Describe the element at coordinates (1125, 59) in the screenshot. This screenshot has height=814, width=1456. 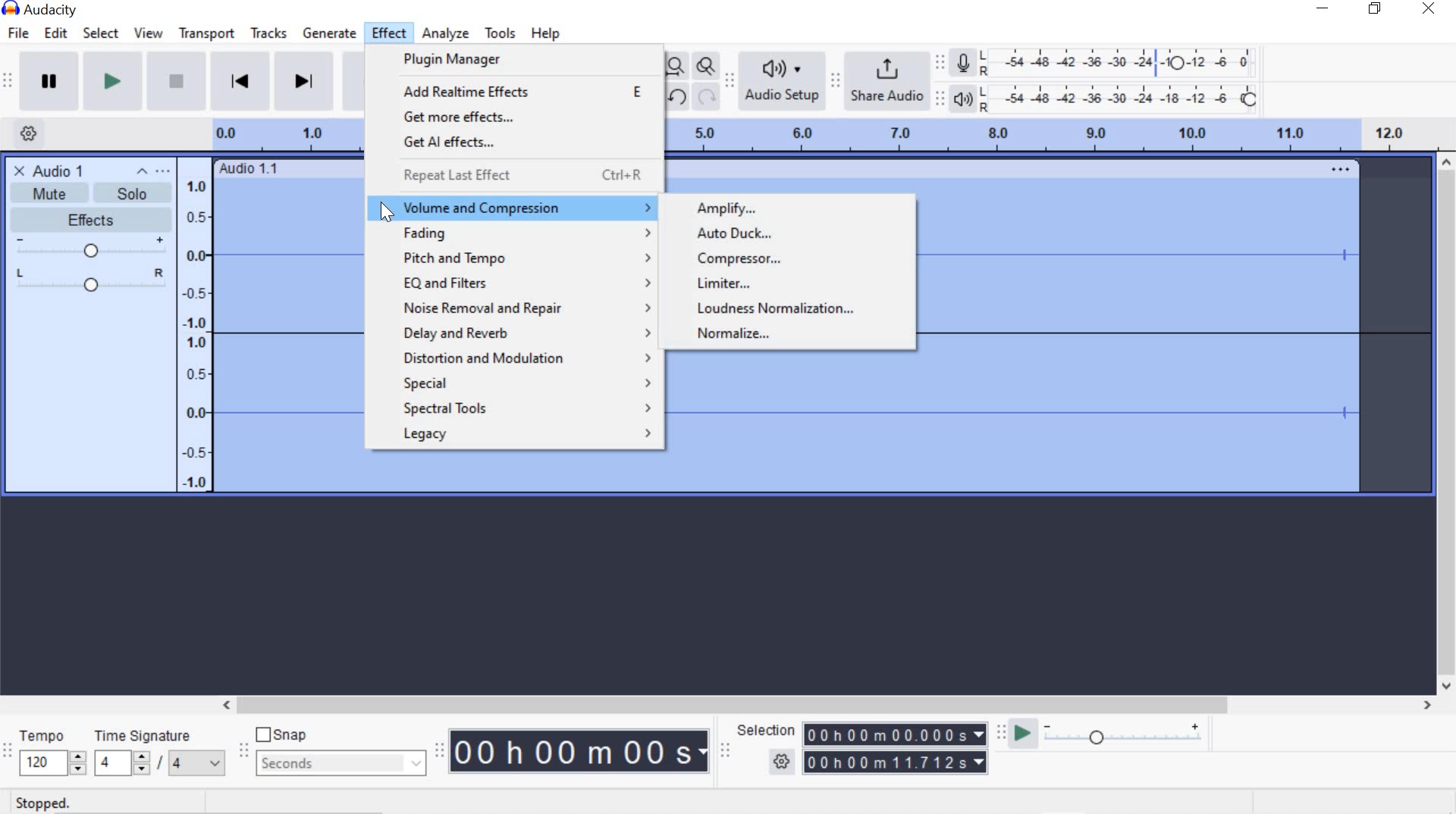
I see `Recording level` at that location.